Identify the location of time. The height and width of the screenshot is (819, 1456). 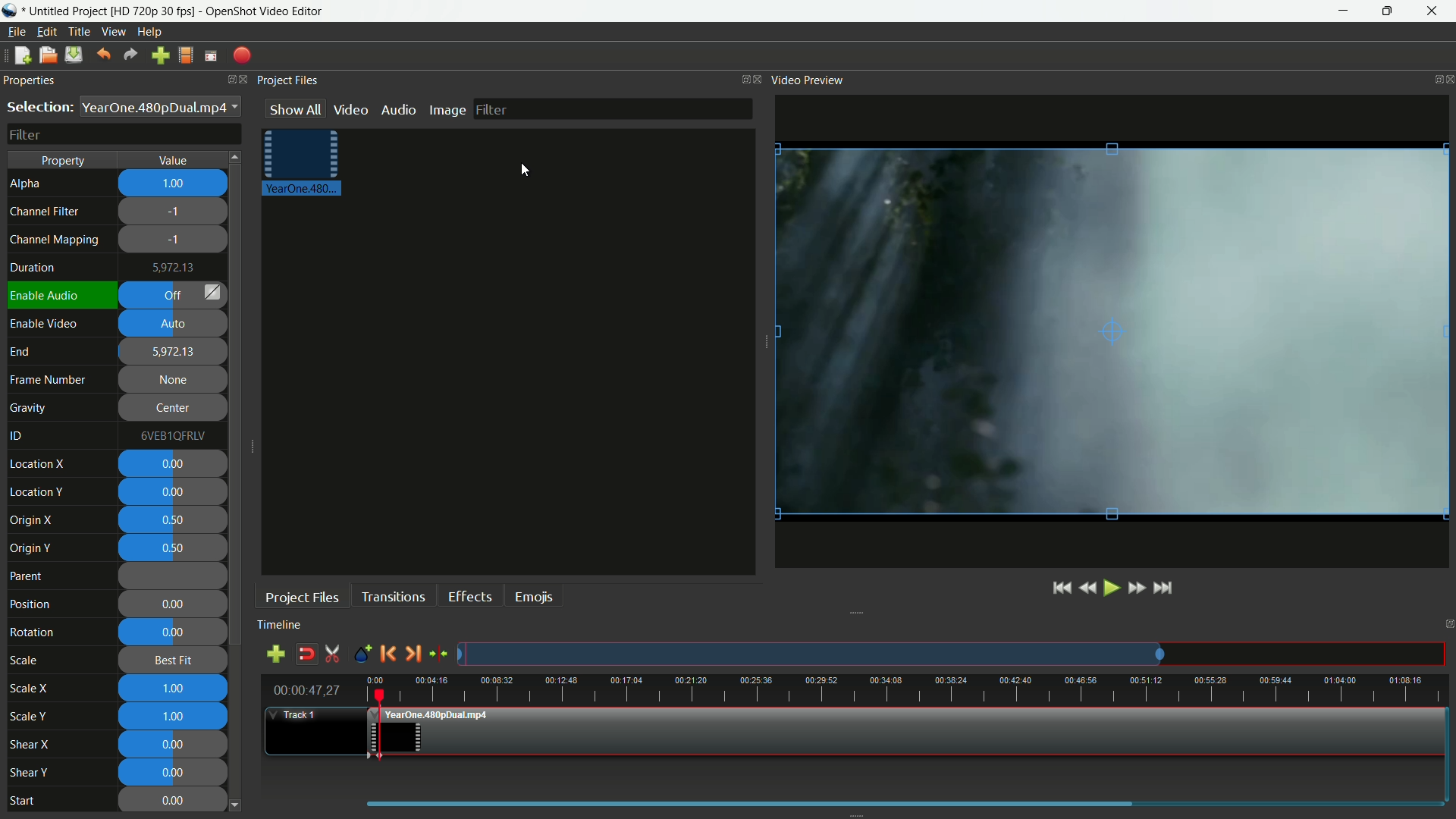
(911, 686).